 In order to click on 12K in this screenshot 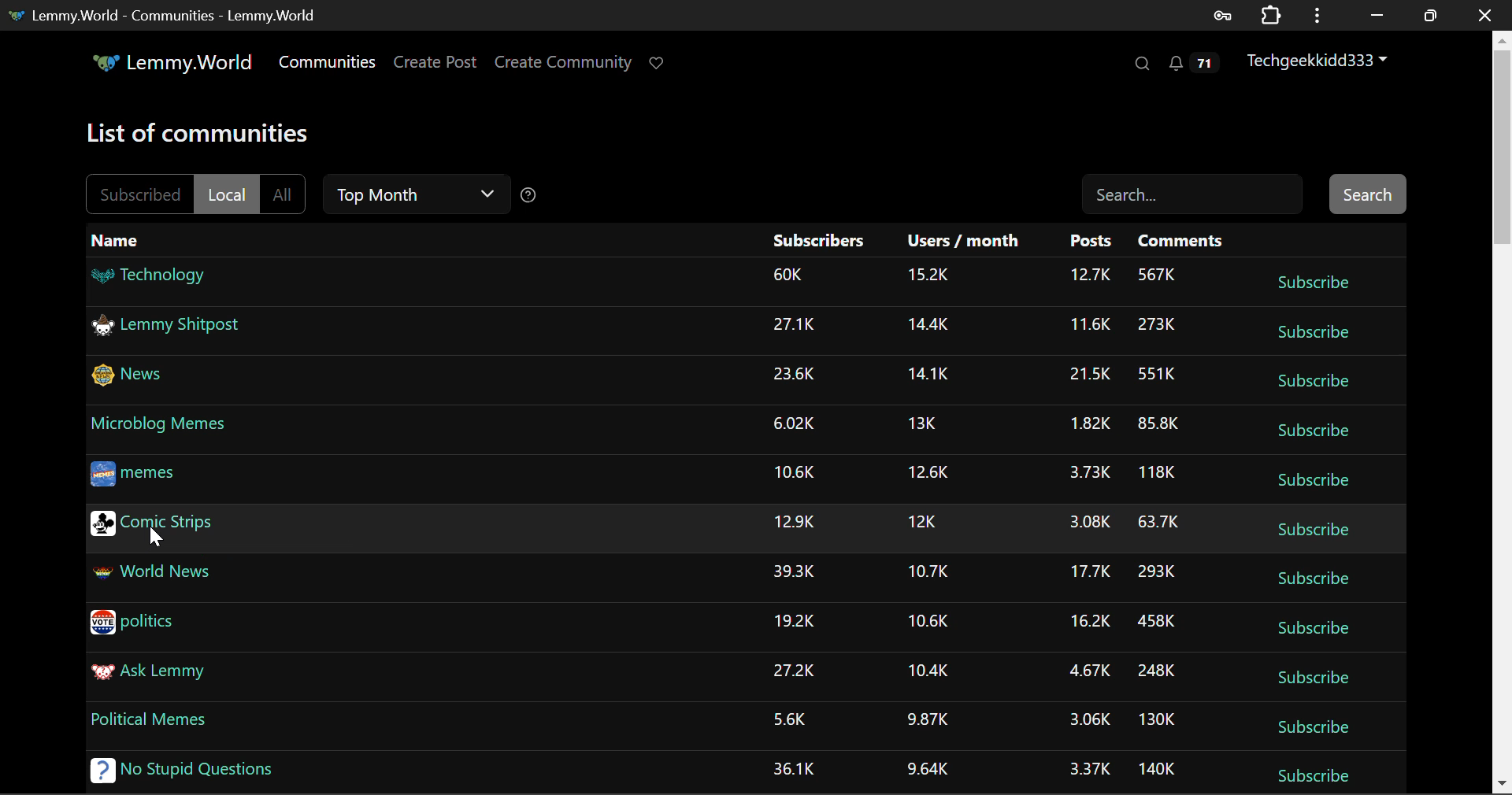, I will do `click(923, 521)`.